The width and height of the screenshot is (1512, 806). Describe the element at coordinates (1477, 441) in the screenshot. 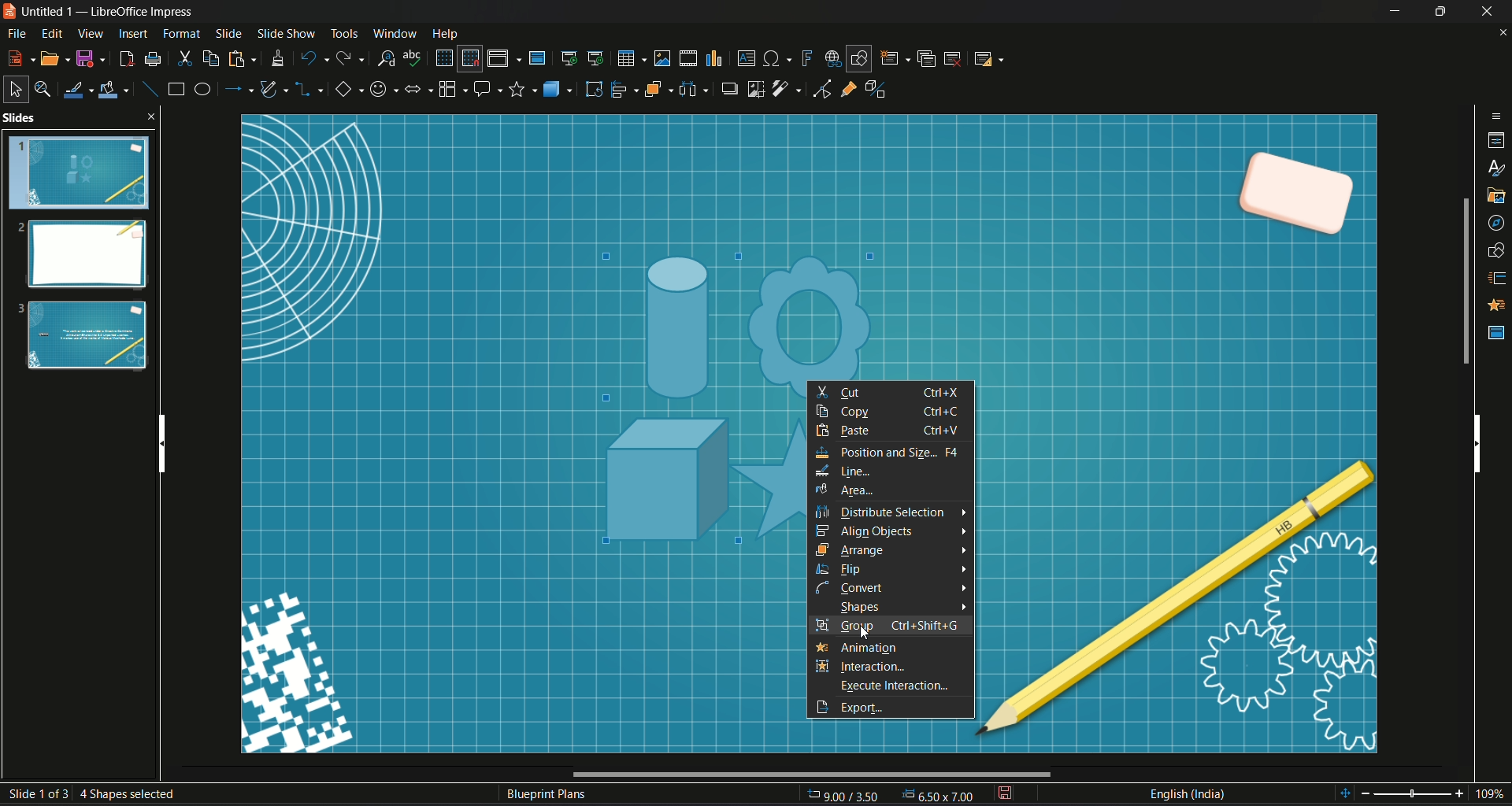

I see `Vertical scroll bar` at that location.